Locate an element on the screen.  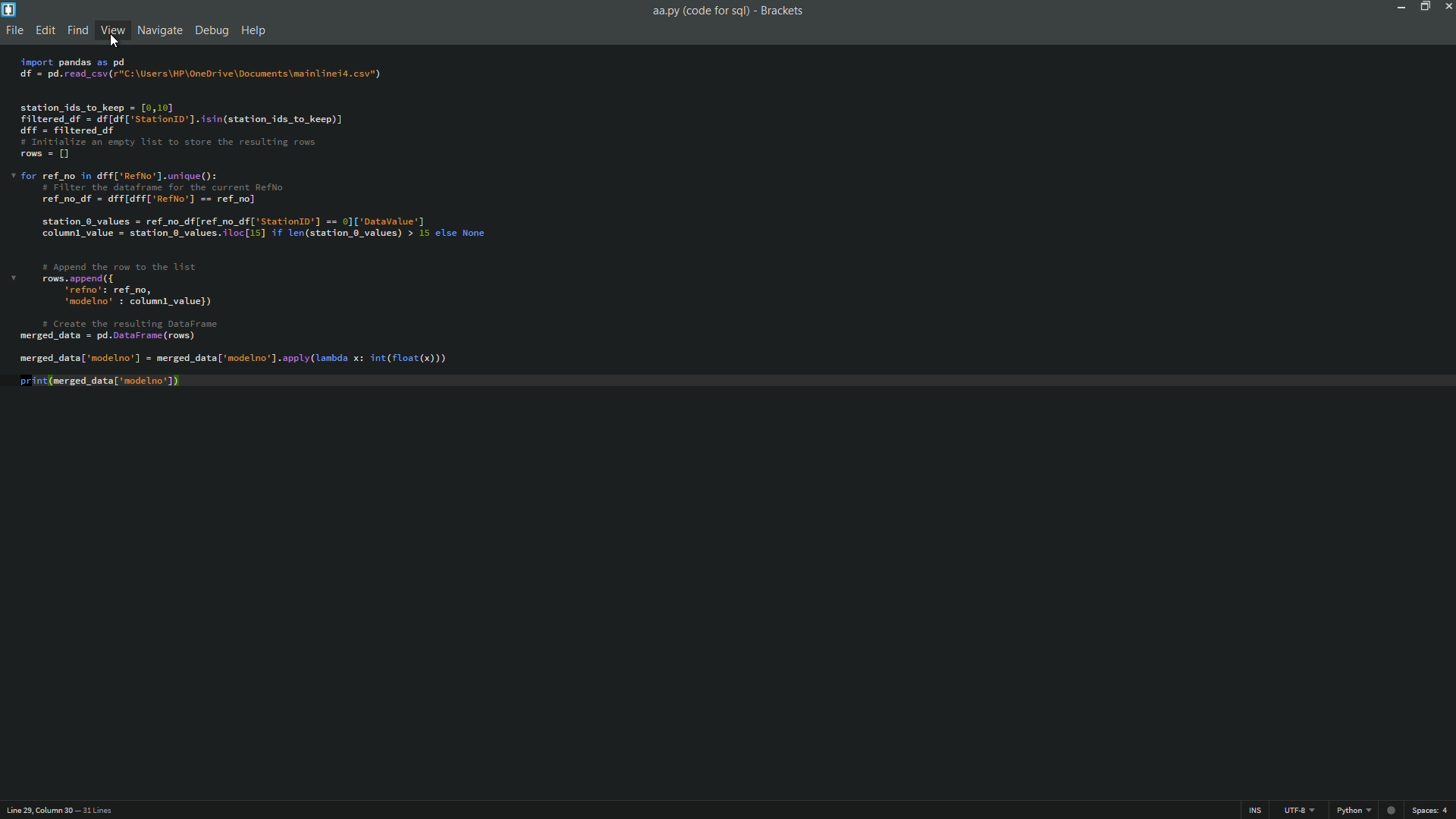
close app button is located at coordinates (1447, 7).